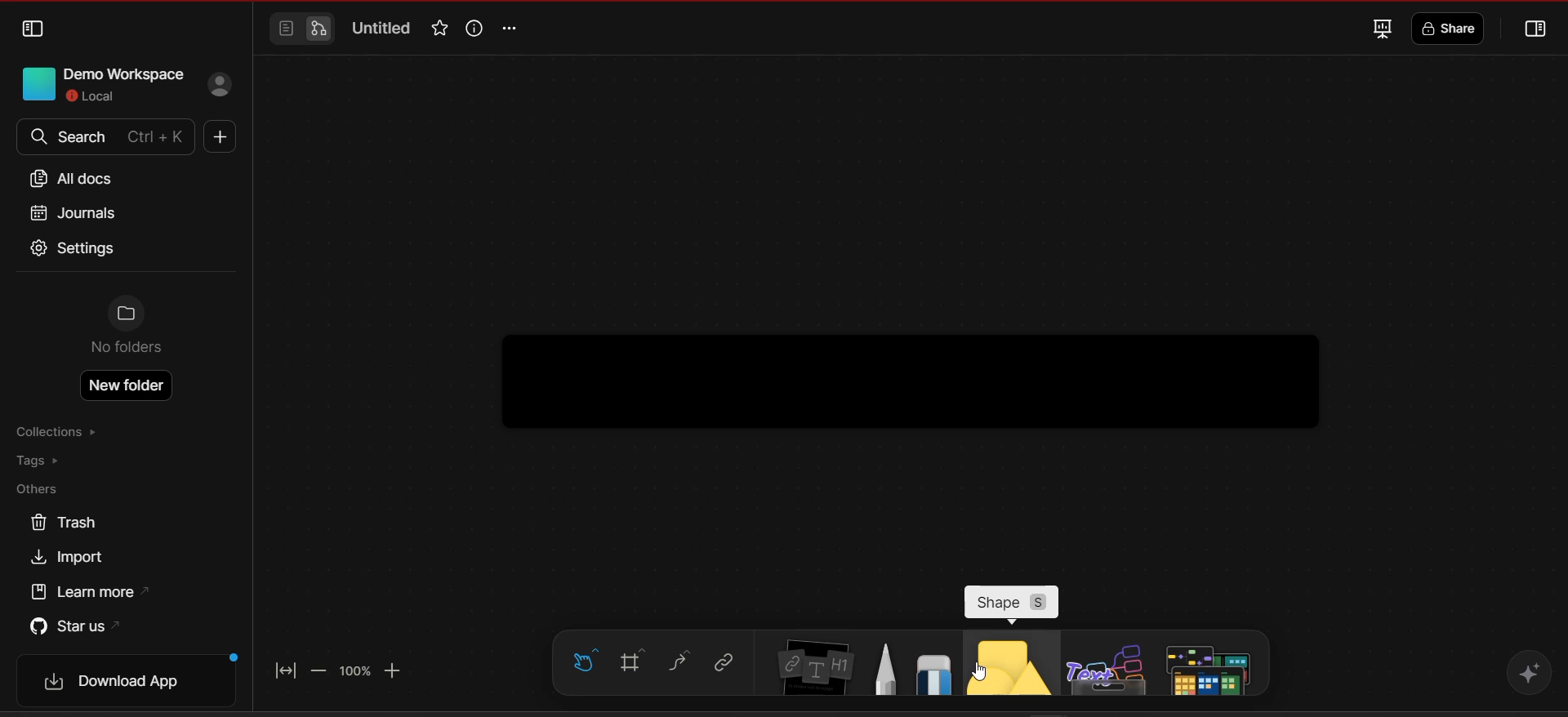 The width and height of the screenshot is (1568, 717). I want to click on search, so click(103, 137).